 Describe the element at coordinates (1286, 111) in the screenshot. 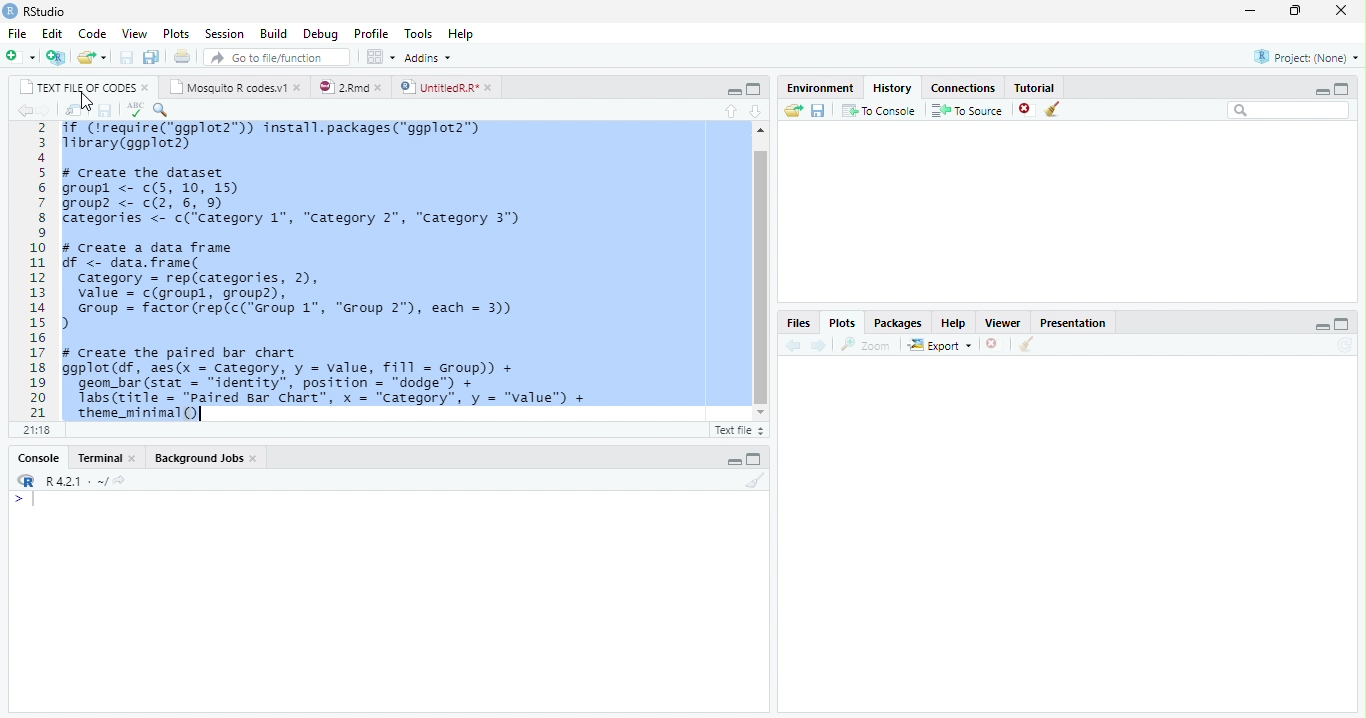

I see `search` at that location.